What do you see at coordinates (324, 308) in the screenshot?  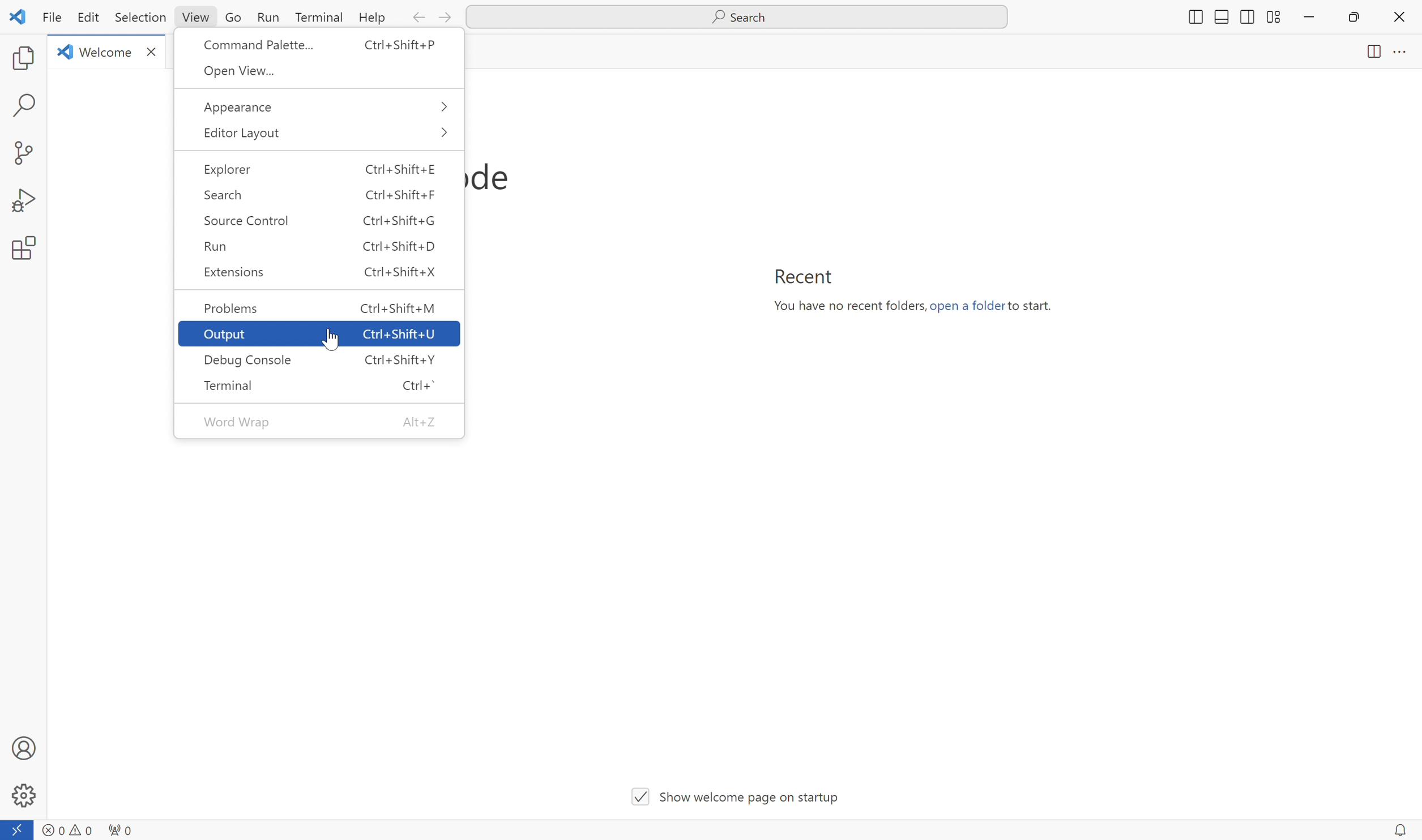 I see `problems` at bounding box center [324, 308].